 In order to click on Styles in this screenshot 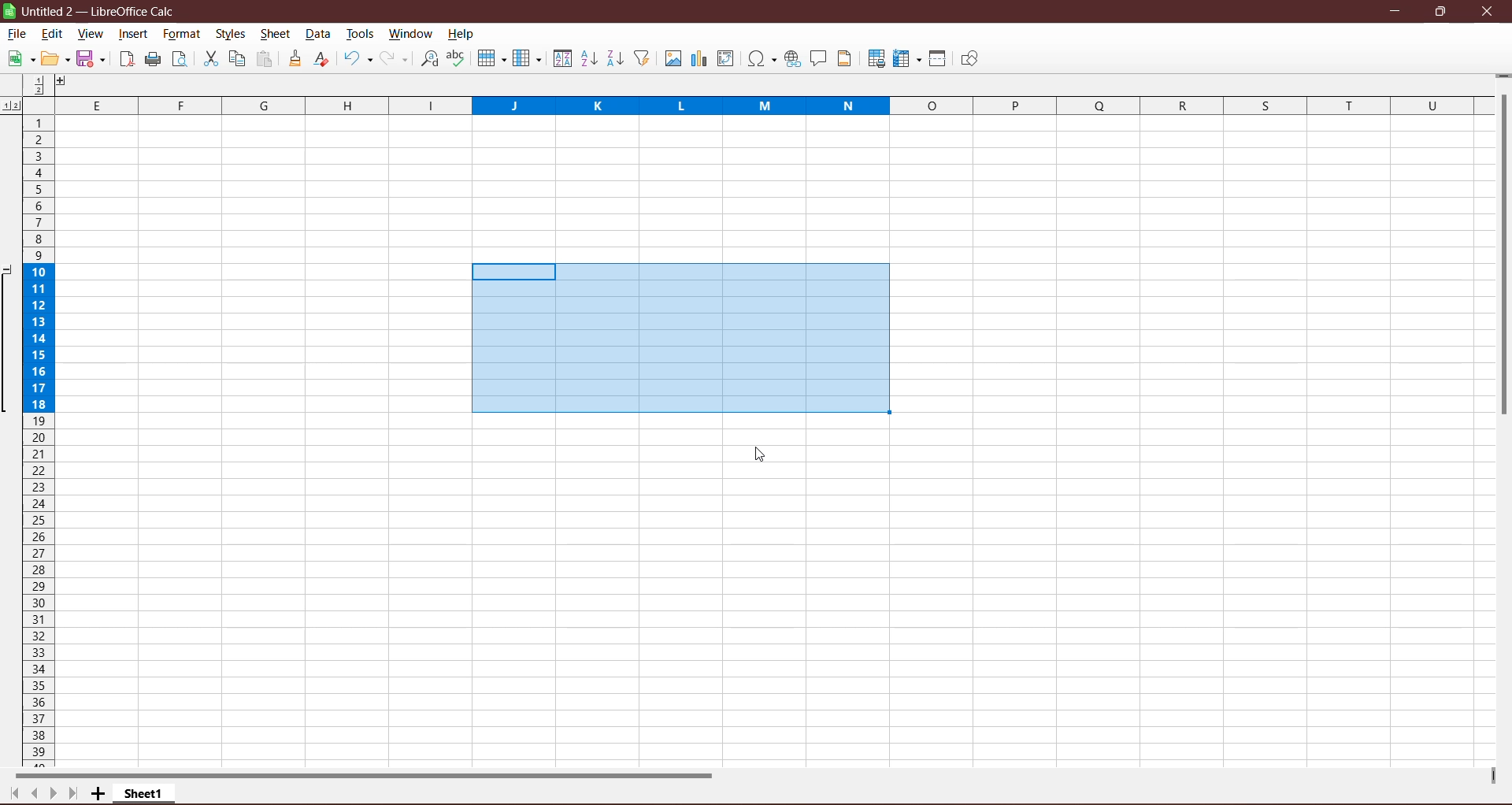, I will do `click(232, 35)`.